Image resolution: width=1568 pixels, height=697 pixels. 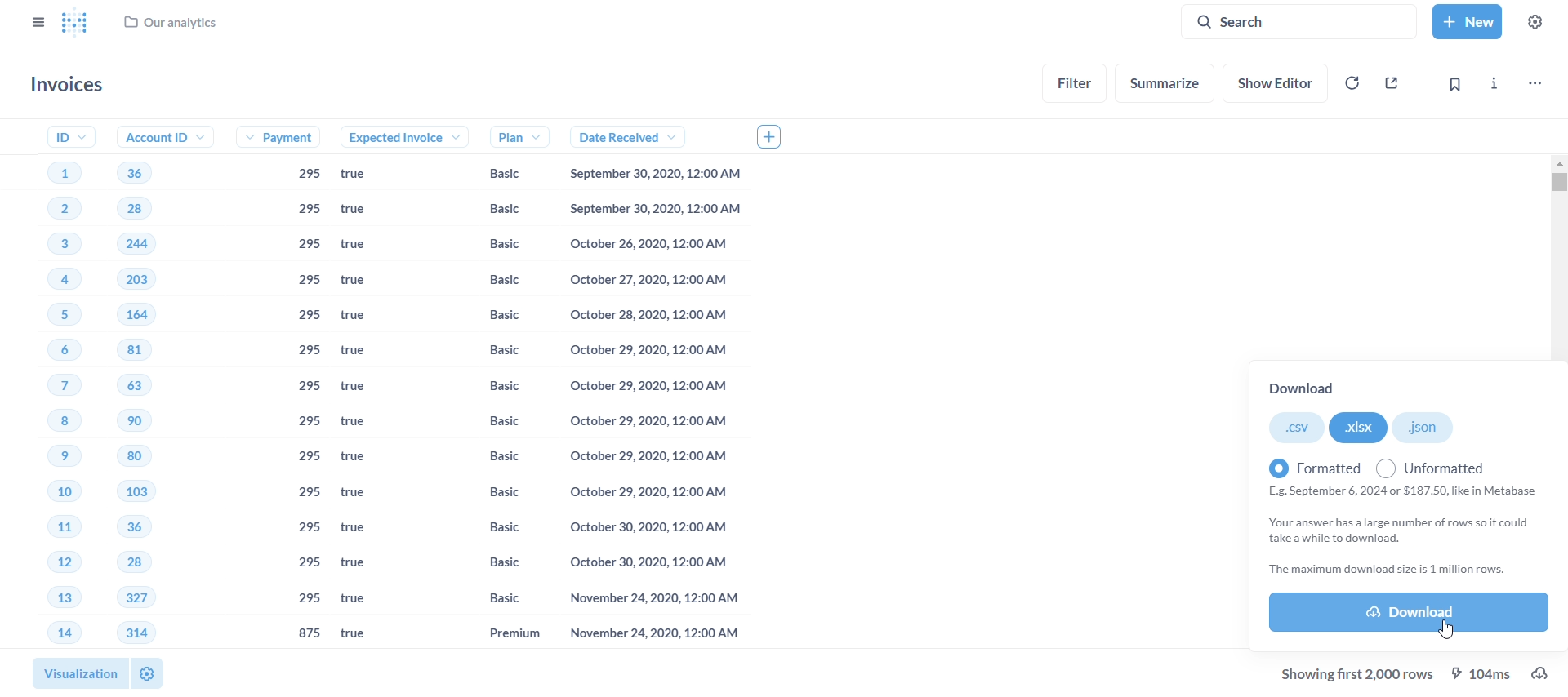 What do you see at coordinates (644, 562) in the screenshot?
I see `October 30, 2020, 12:00 AM` at bounding box center [644, 562].